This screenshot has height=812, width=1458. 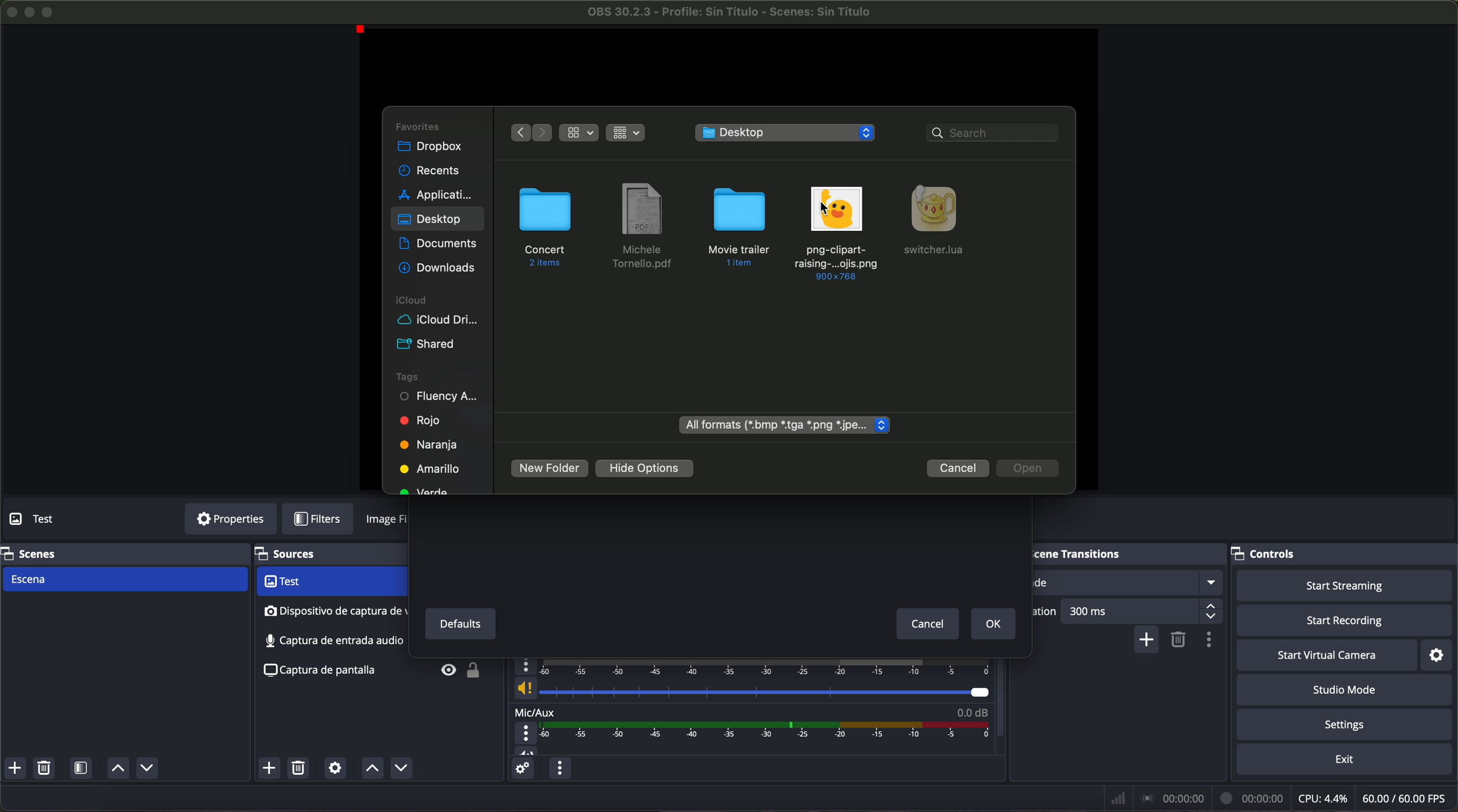 What do you see at coordinates (428, 171) in the screenshot?
I see `recents` at bounding box center [428, 171].